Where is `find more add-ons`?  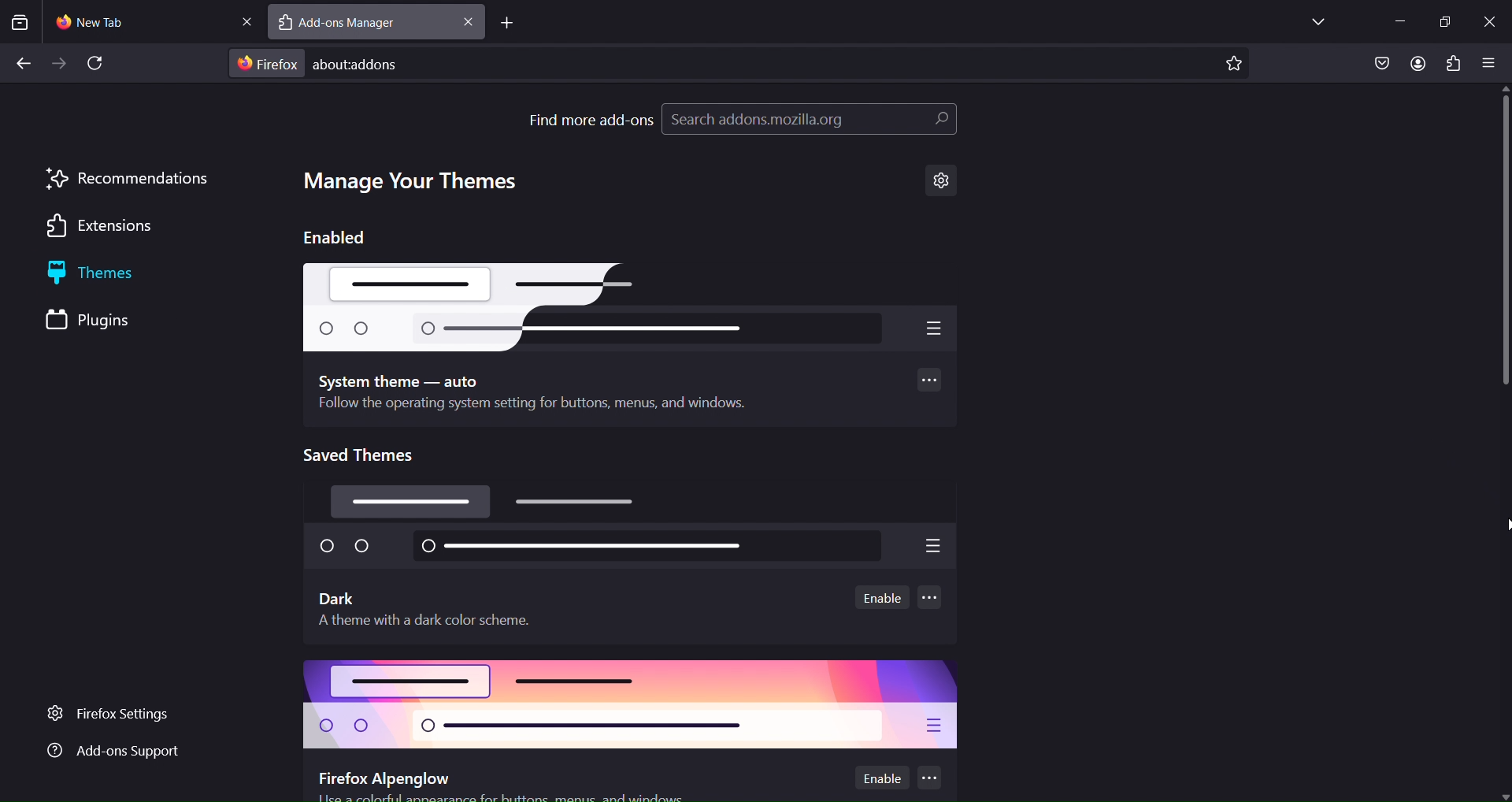
find more add-ons is located at coordinates (591, 119).